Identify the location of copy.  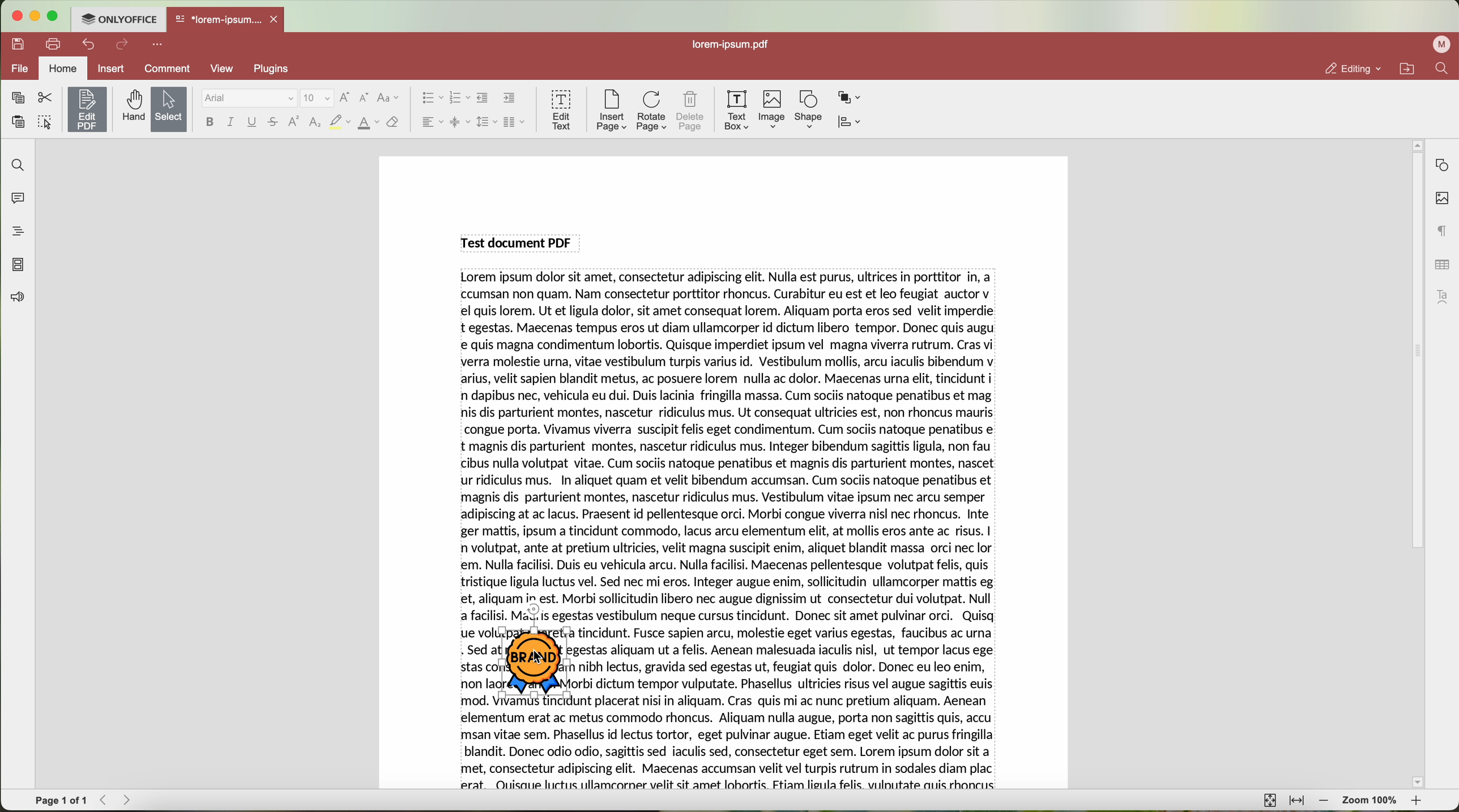
(18, 98).